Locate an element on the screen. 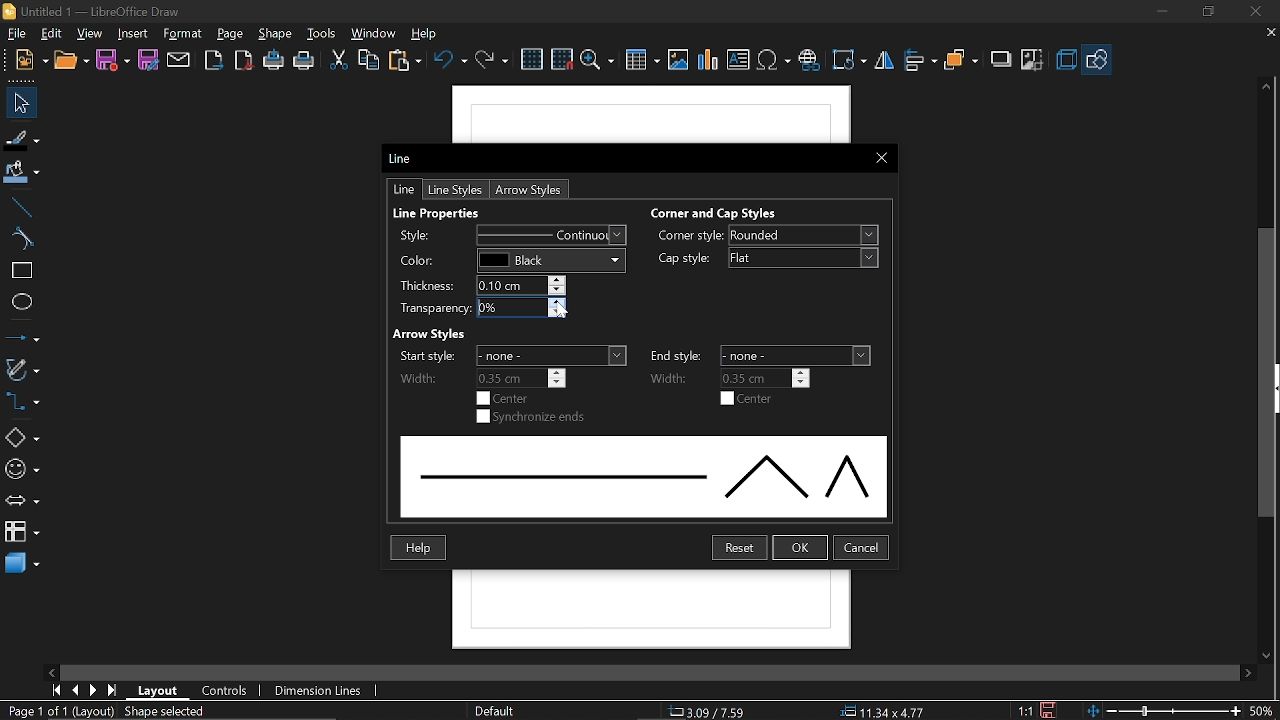  Co-ordinate is located at coordinates (712, 710).